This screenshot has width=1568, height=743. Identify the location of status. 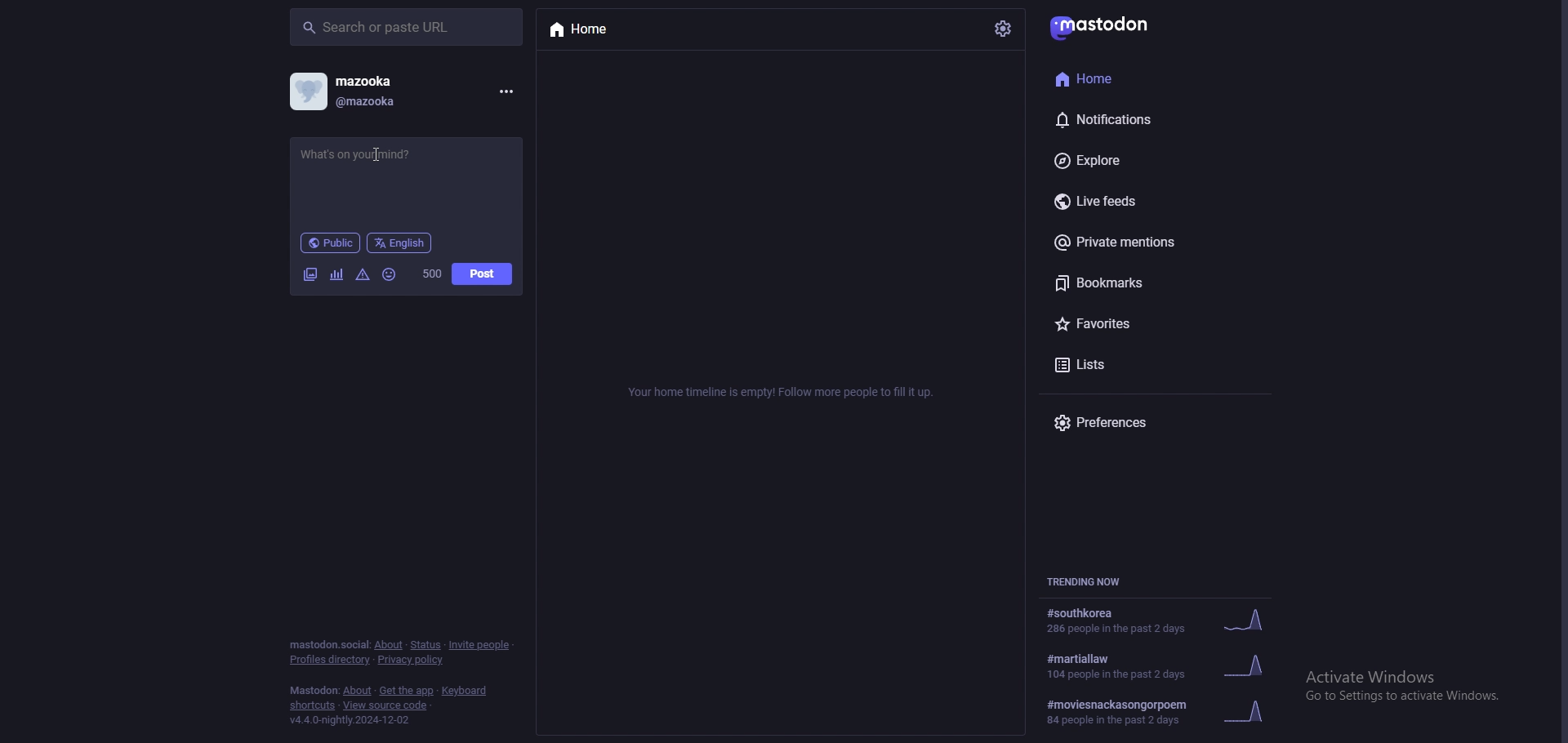
(424, 646).